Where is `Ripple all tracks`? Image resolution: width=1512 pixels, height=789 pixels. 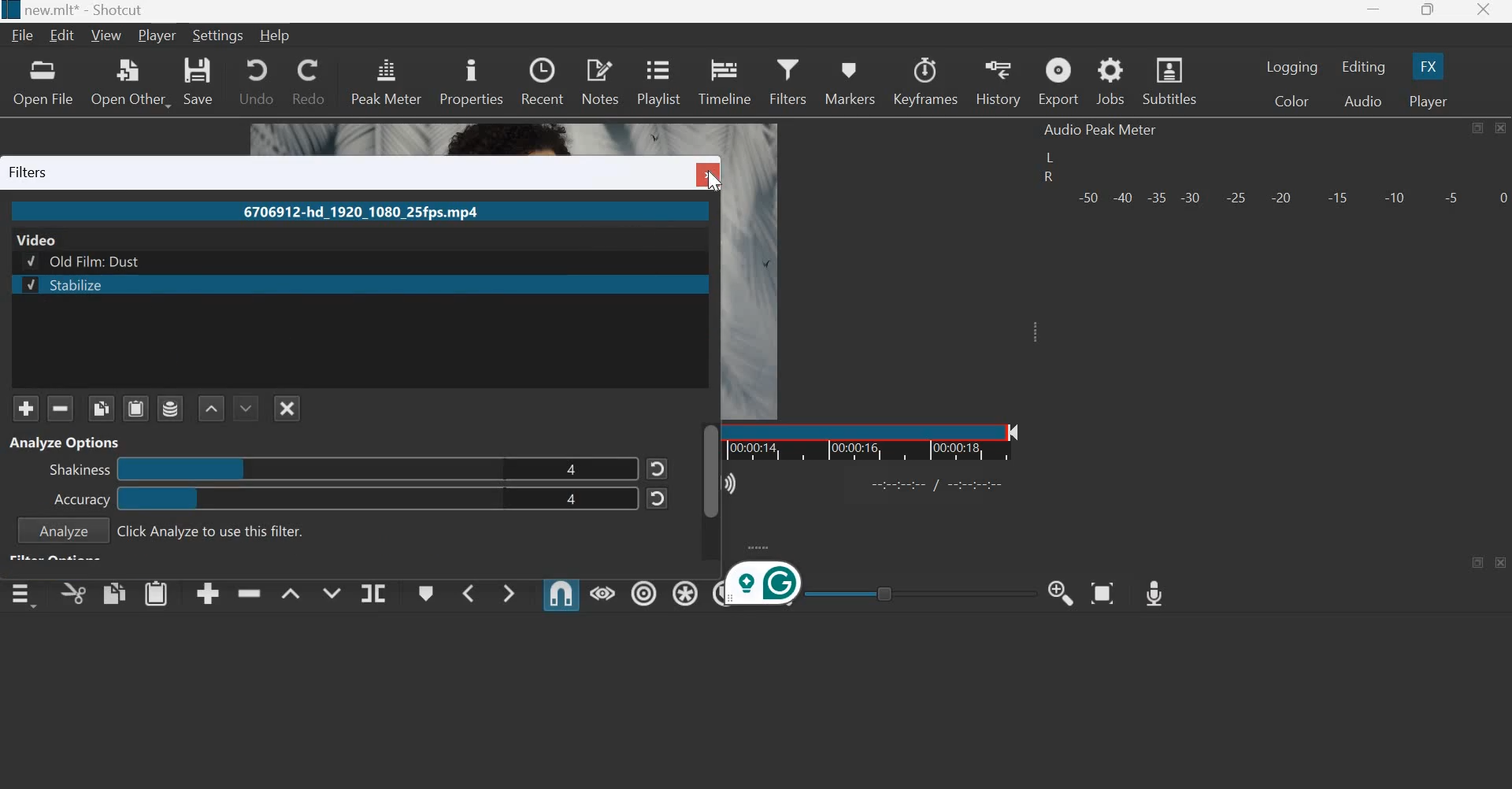 Ripple all tracks is located at coordinates (685, 591).